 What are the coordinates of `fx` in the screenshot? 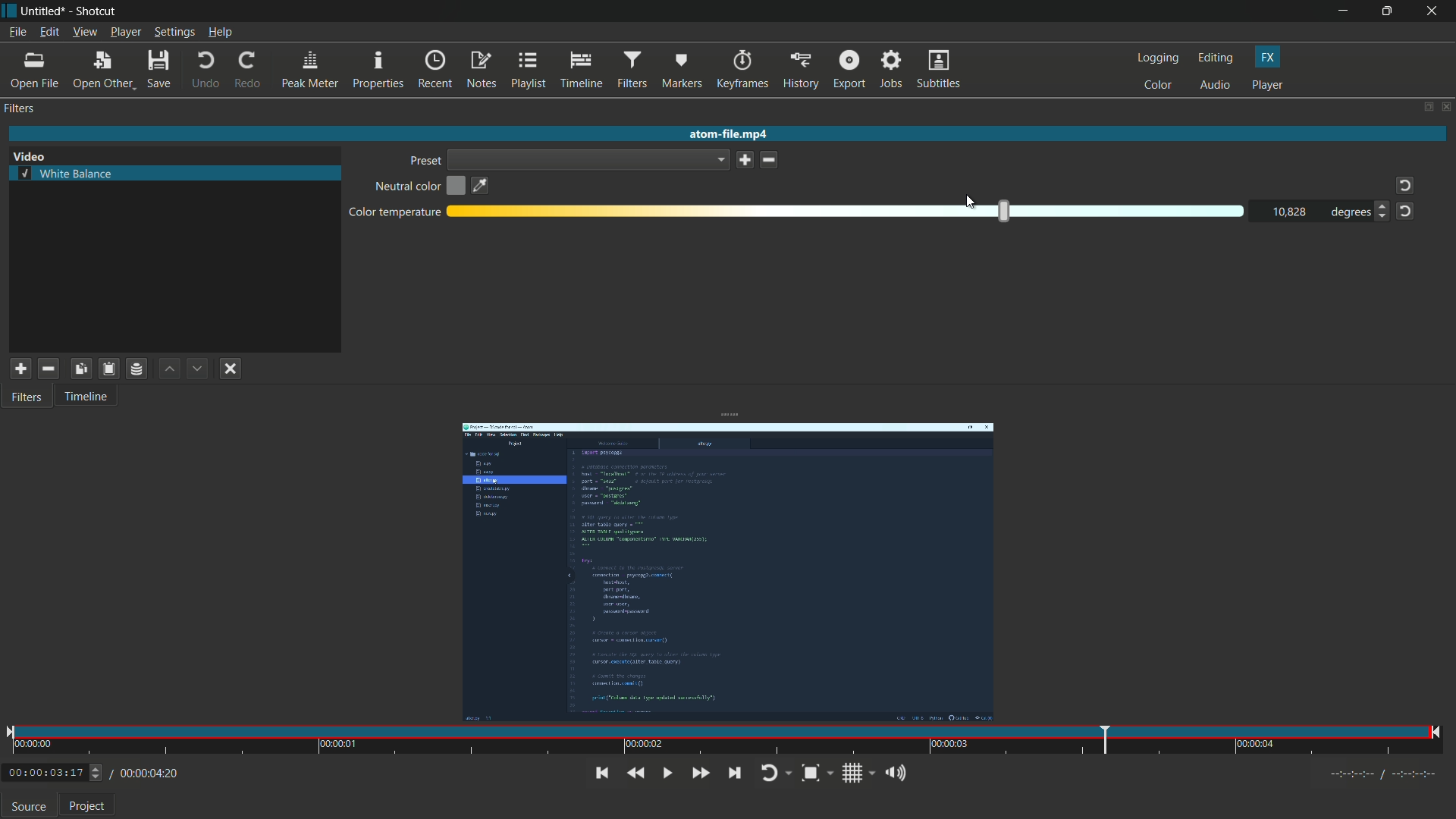 It's located at (1267, 58).